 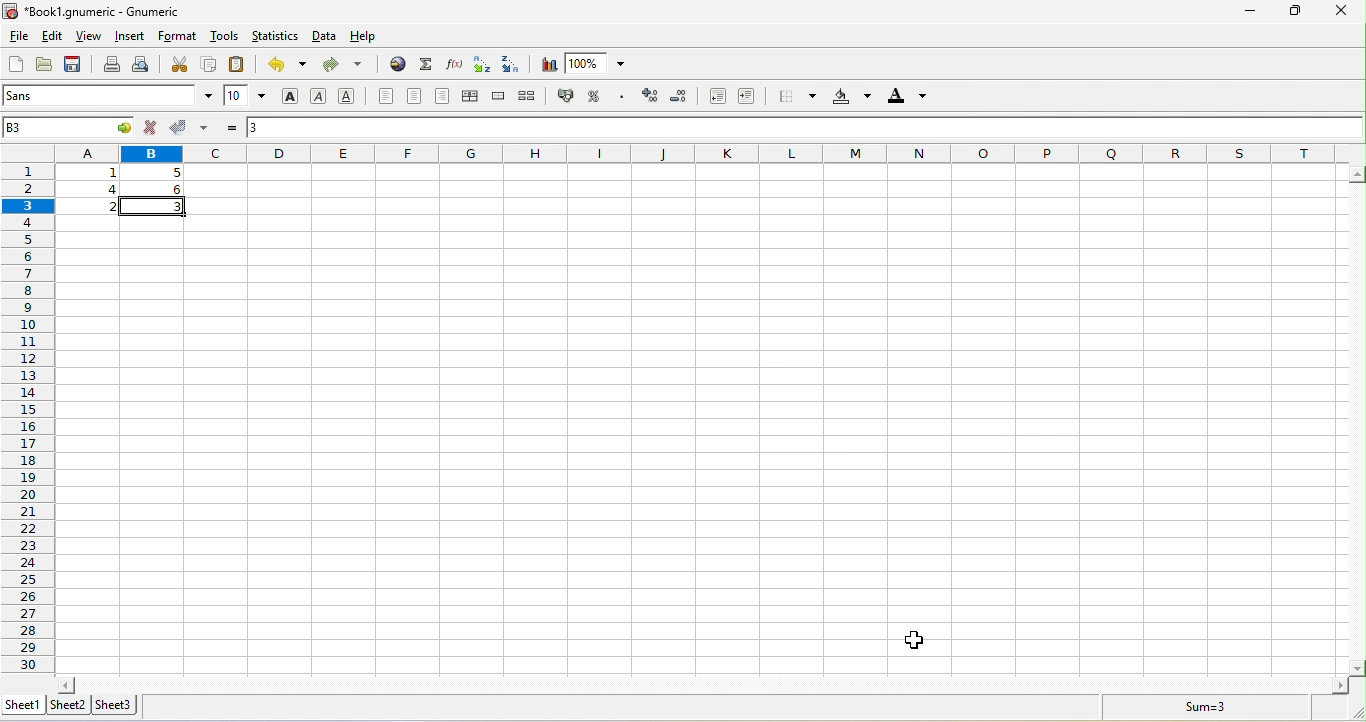 What do you see at coordinates (323, 96) in the screenshot?
I see `italic ` at bounding box center [323, 96].